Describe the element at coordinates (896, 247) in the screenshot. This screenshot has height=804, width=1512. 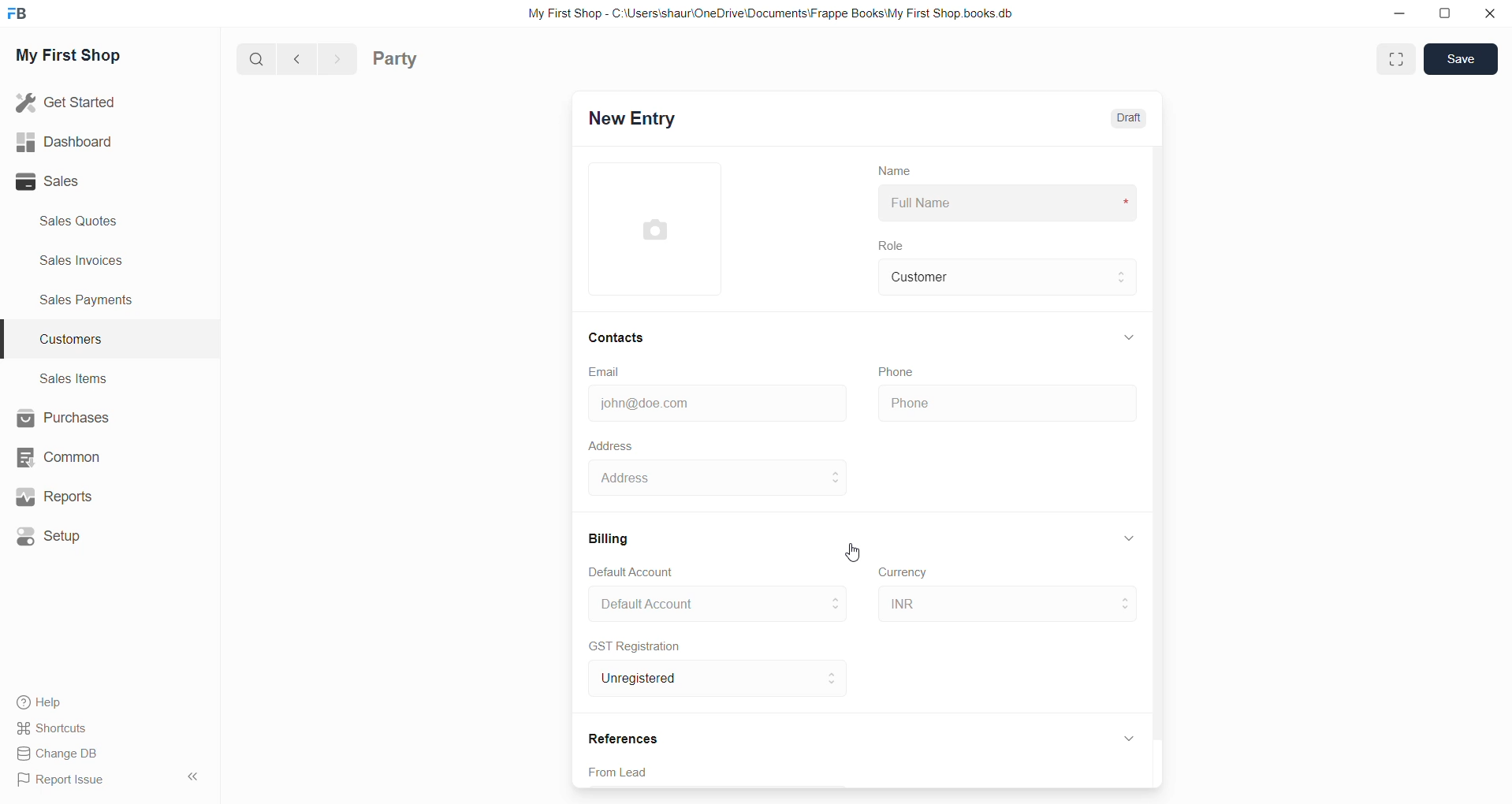
I see `Role` at that location.